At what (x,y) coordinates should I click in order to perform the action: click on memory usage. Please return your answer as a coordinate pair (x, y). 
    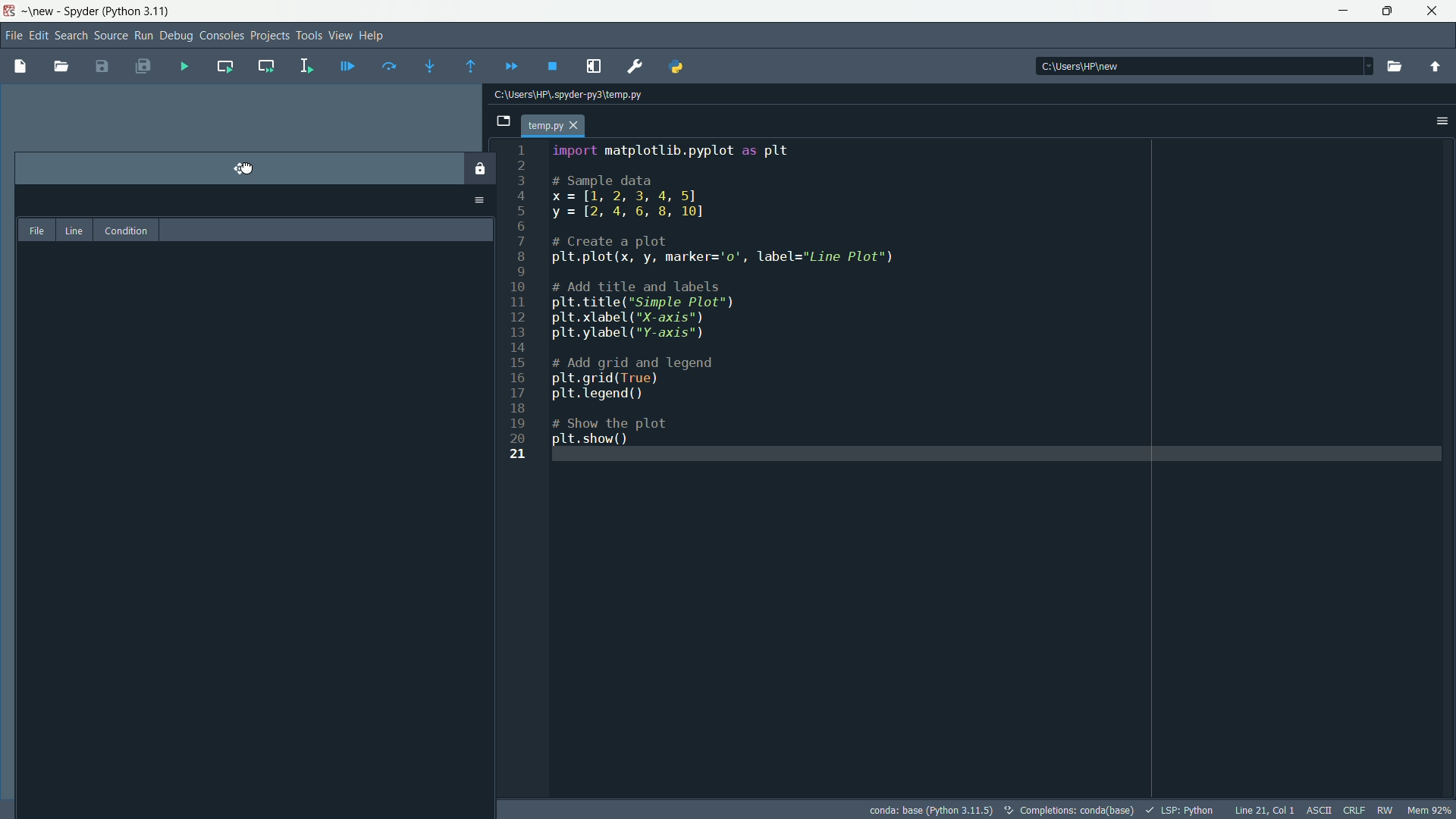
    Looking at the image, I should click on (1429, 810).